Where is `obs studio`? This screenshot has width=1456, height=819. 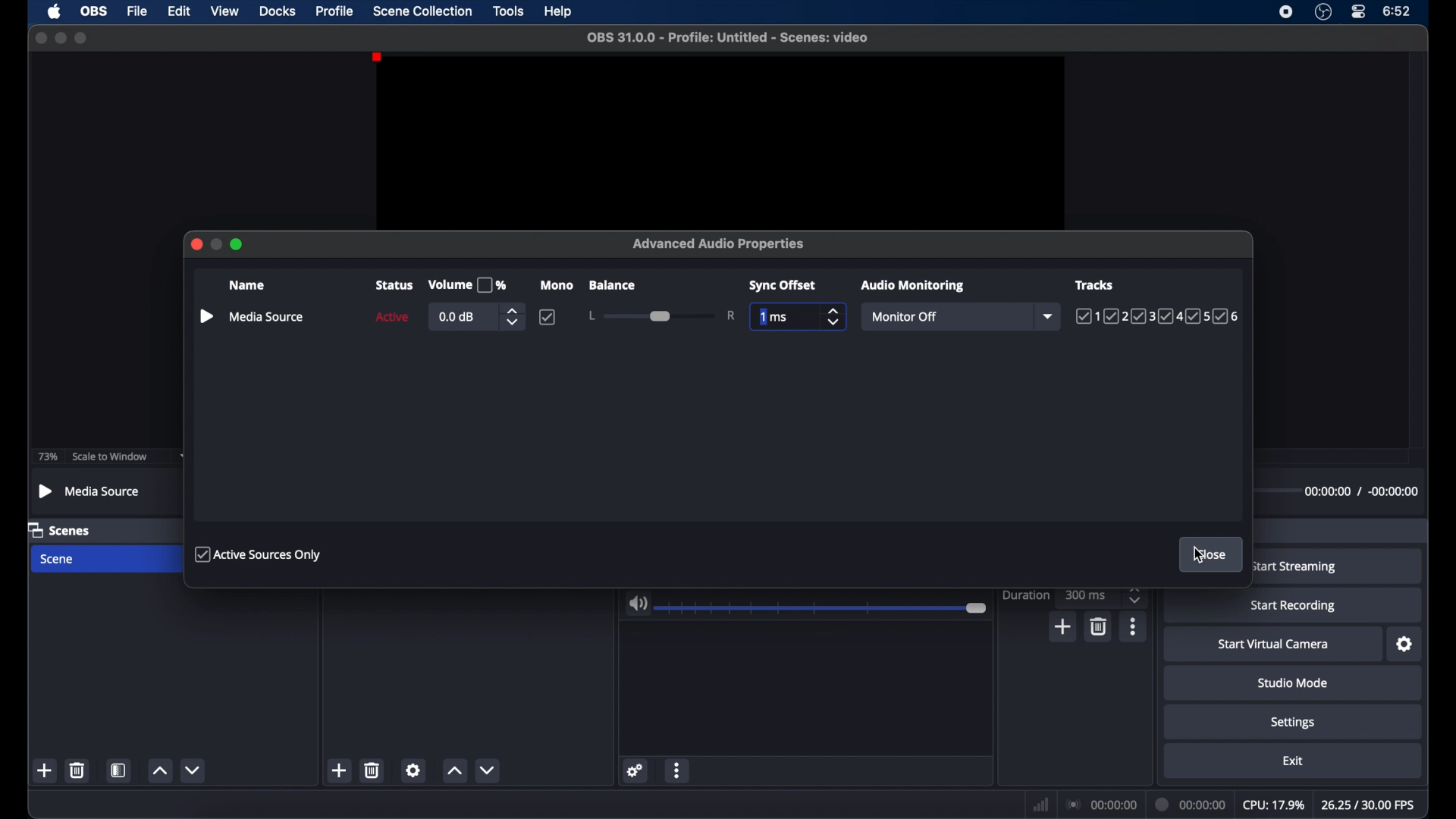 obs studio is located at coordinates (1323, 11).